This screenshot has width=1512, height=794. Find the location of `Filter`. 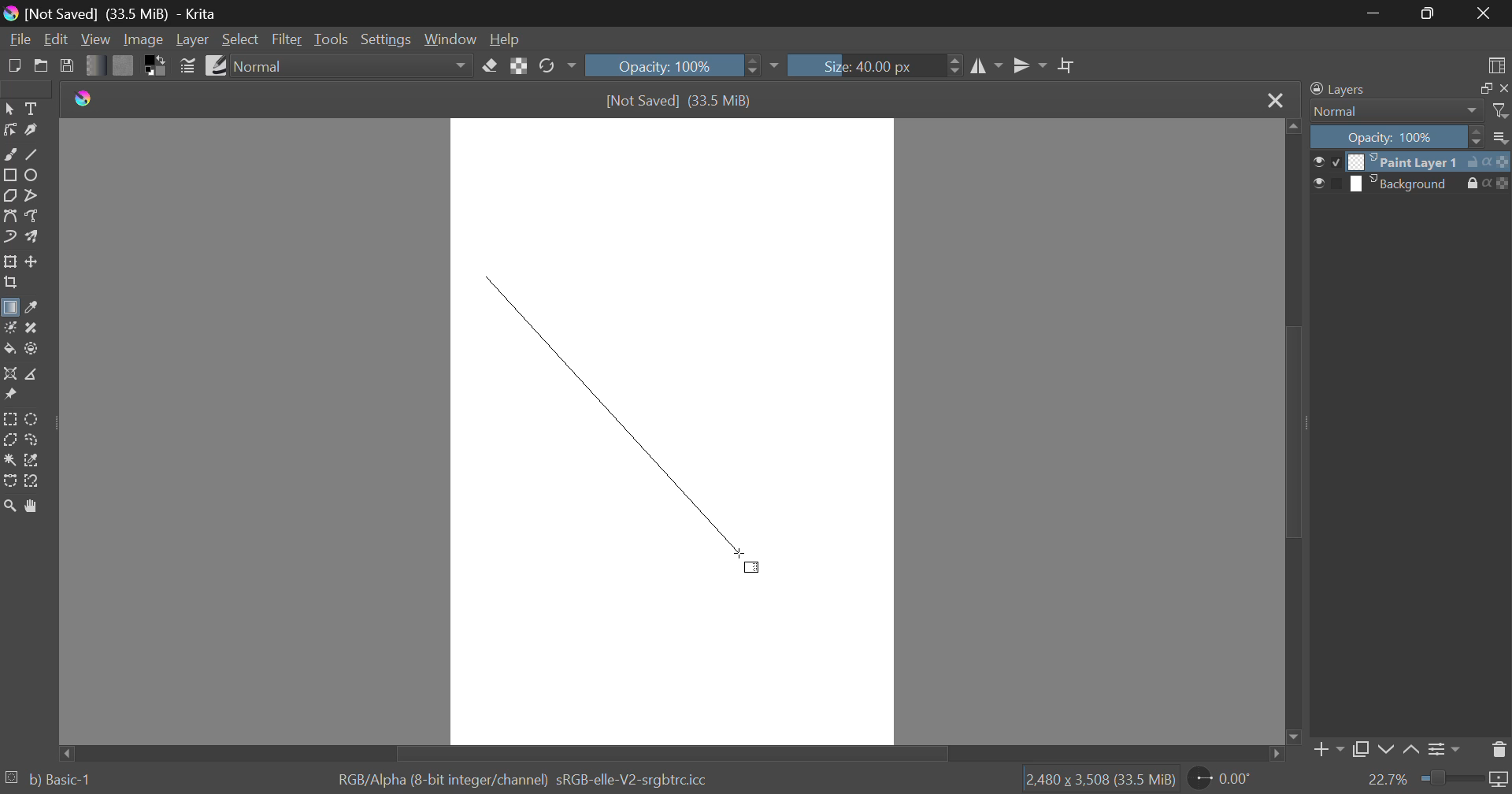

Filter is located at coordinates (288, 39).